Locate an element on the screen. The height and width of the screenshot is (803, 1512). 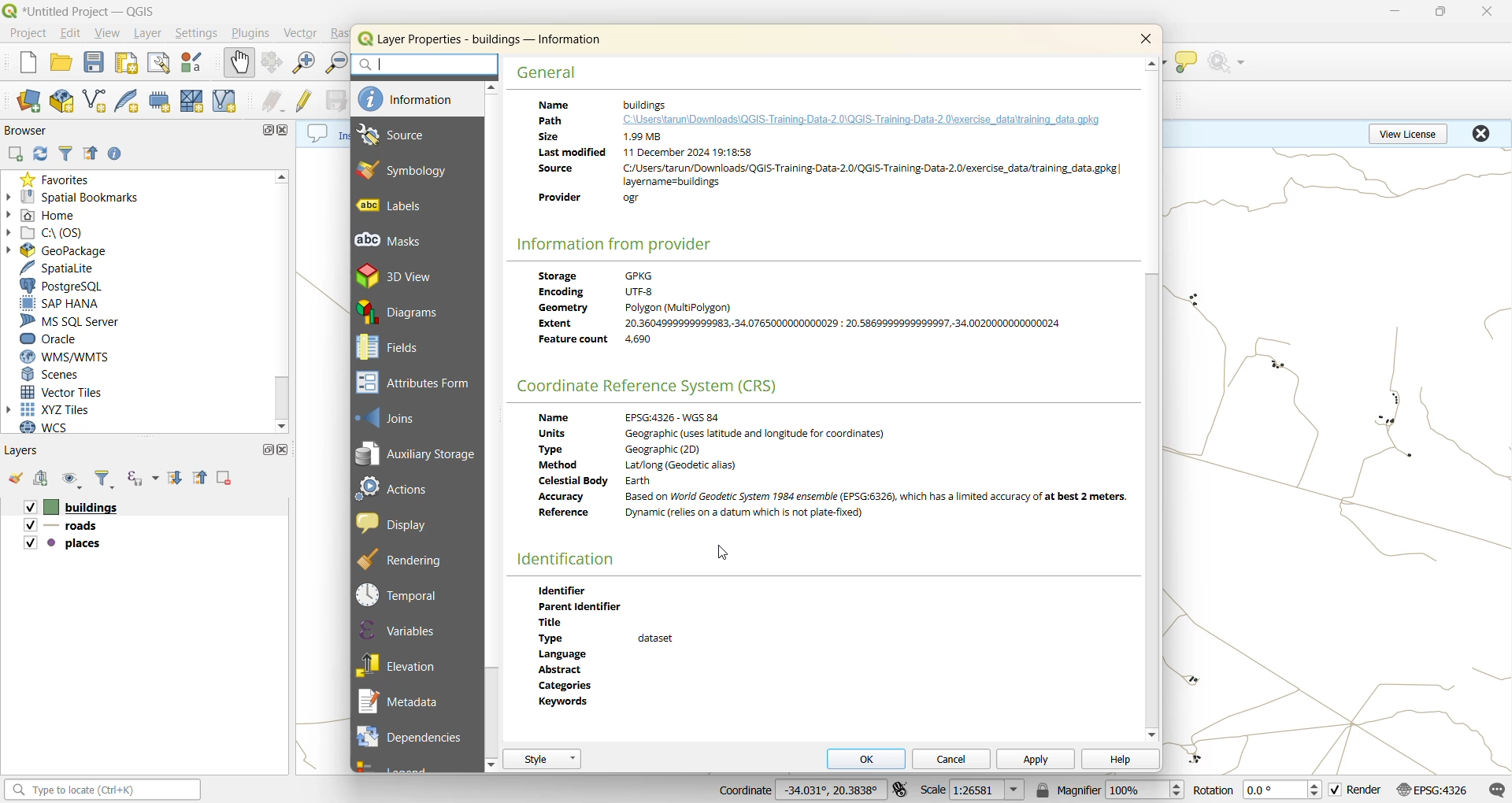
auxillary storage is located at coordinates (416, 451).